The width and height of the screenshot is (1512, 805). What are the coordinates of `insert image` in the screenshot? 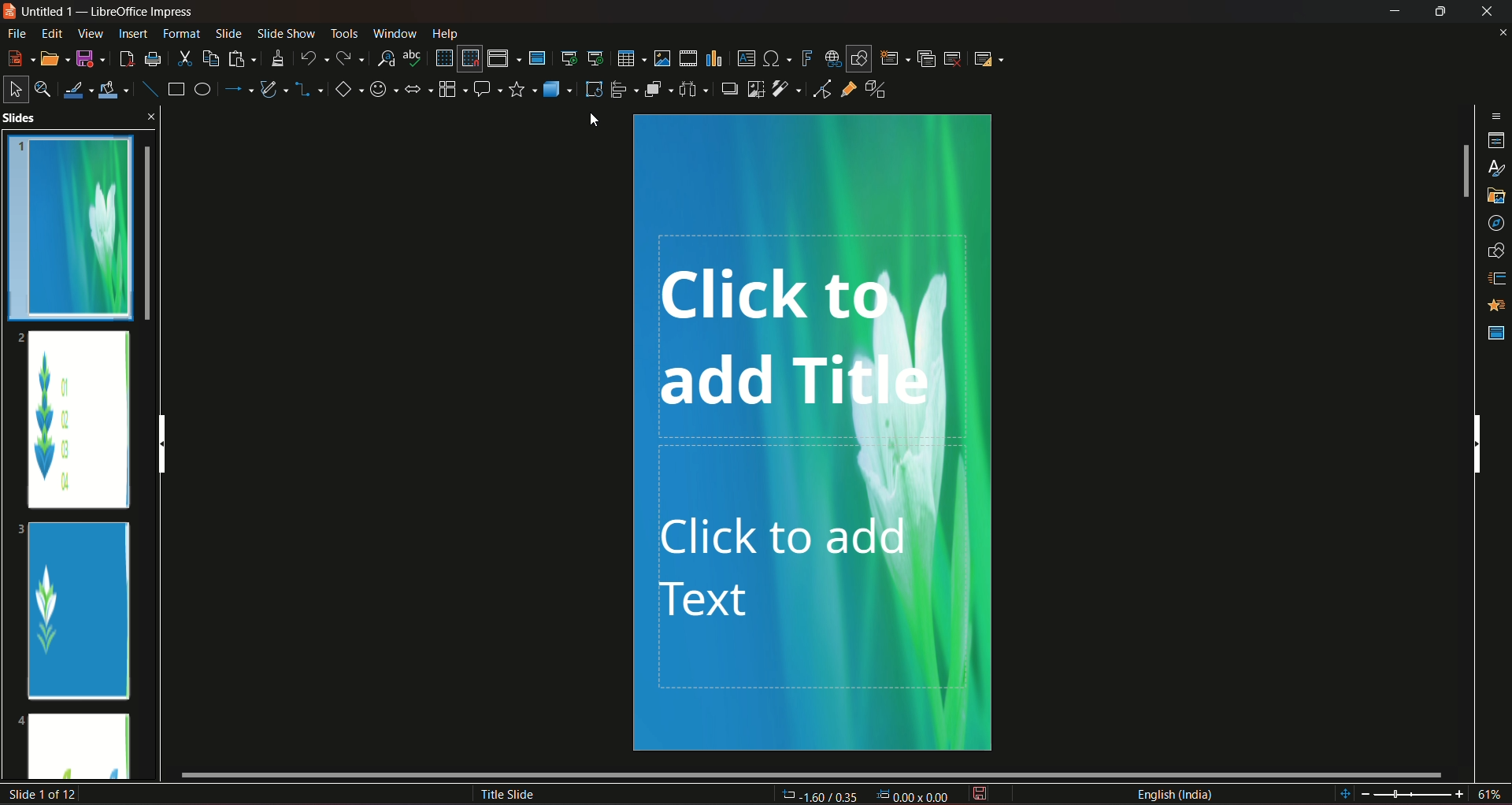 It's located at (661, 58).